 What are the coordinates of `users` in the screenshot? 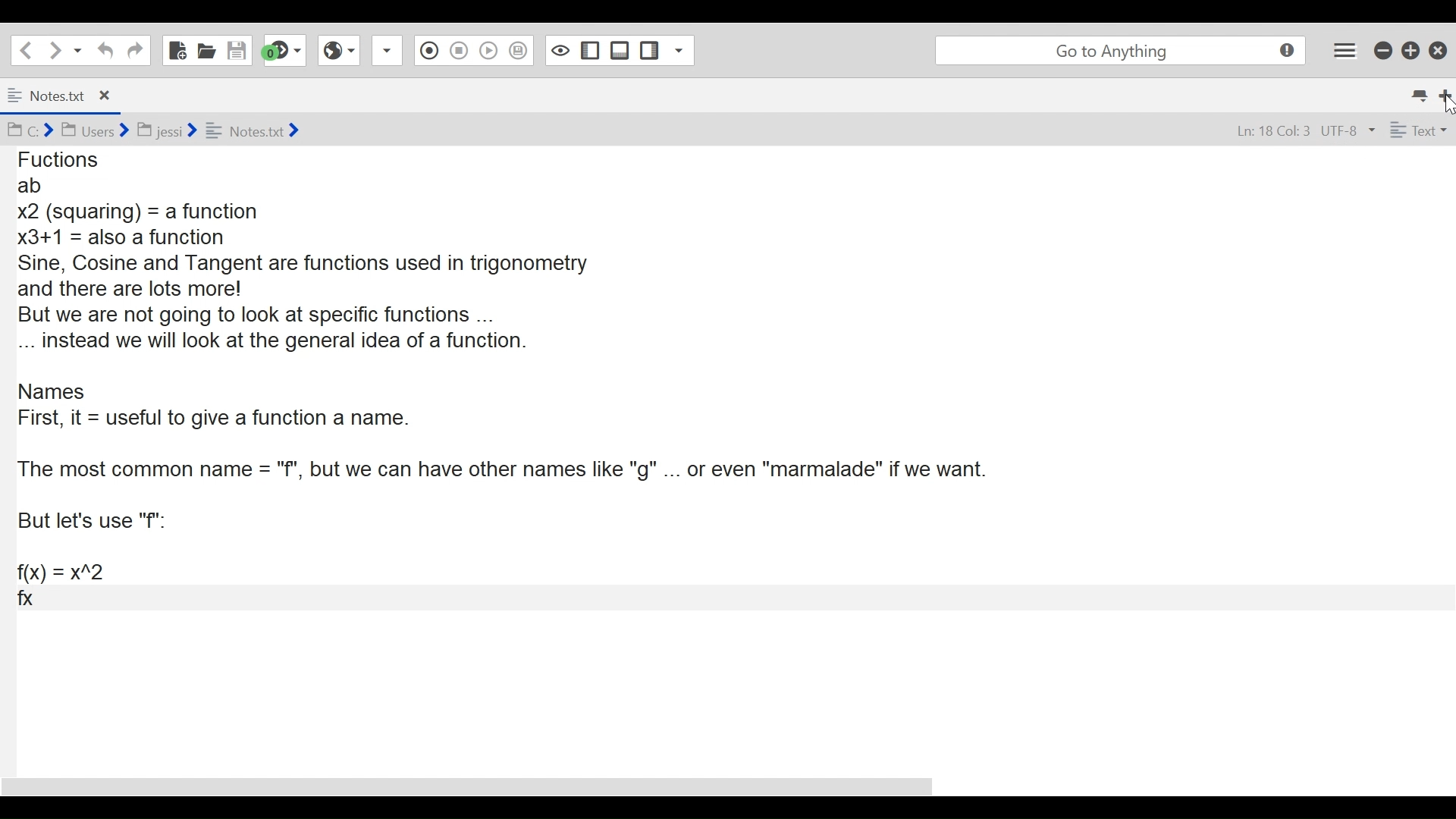 It's located at (94, 130).